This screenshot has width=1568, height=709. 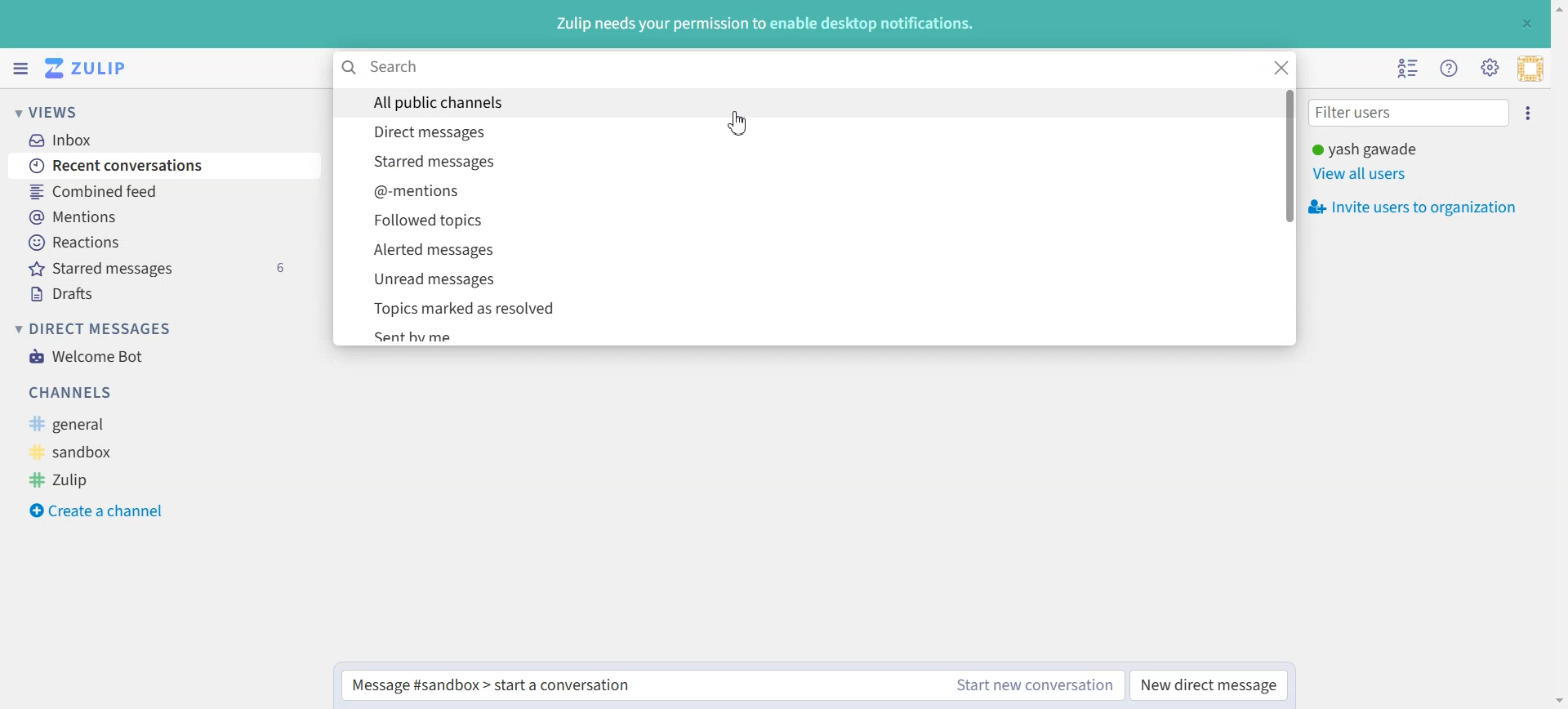 I want to click on yash gawade, so click(x=1365, y=149).